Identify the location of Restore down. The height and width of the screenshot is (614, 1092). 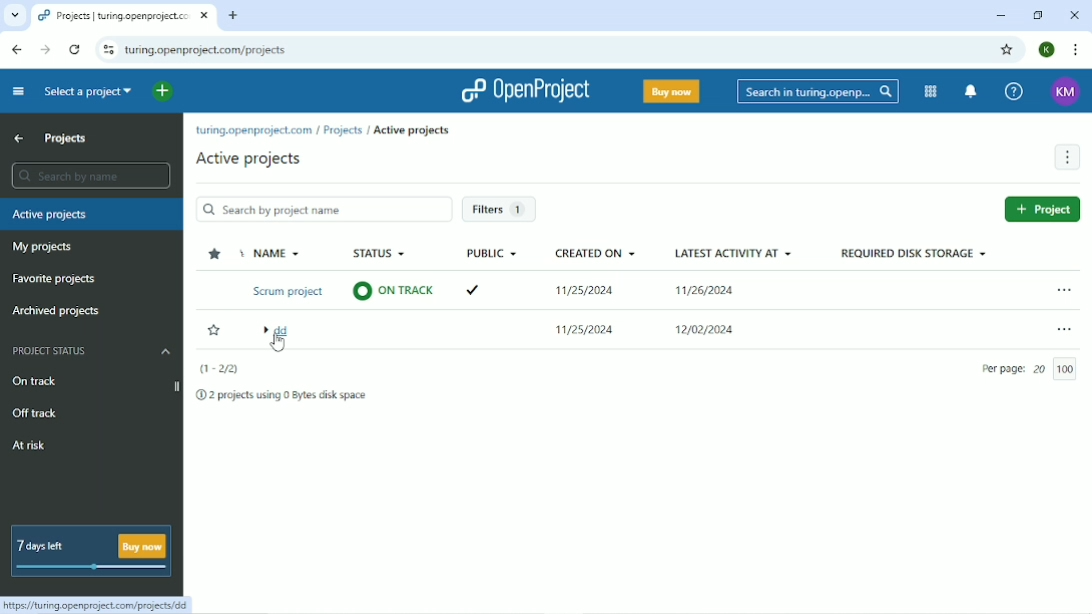
(1036, 14).